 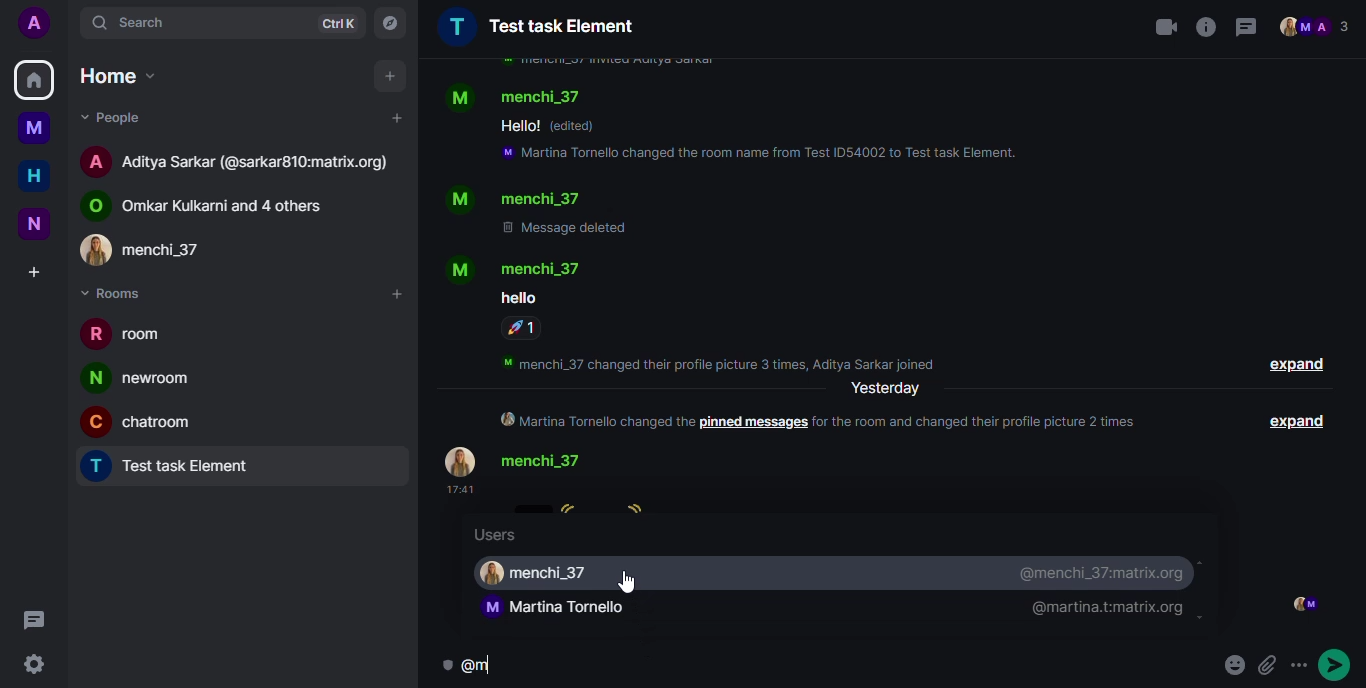 What do you see at coordinates (593, 421) in the screenshot?
I see `Martina tornello changed` at bounding box center [593, 421].